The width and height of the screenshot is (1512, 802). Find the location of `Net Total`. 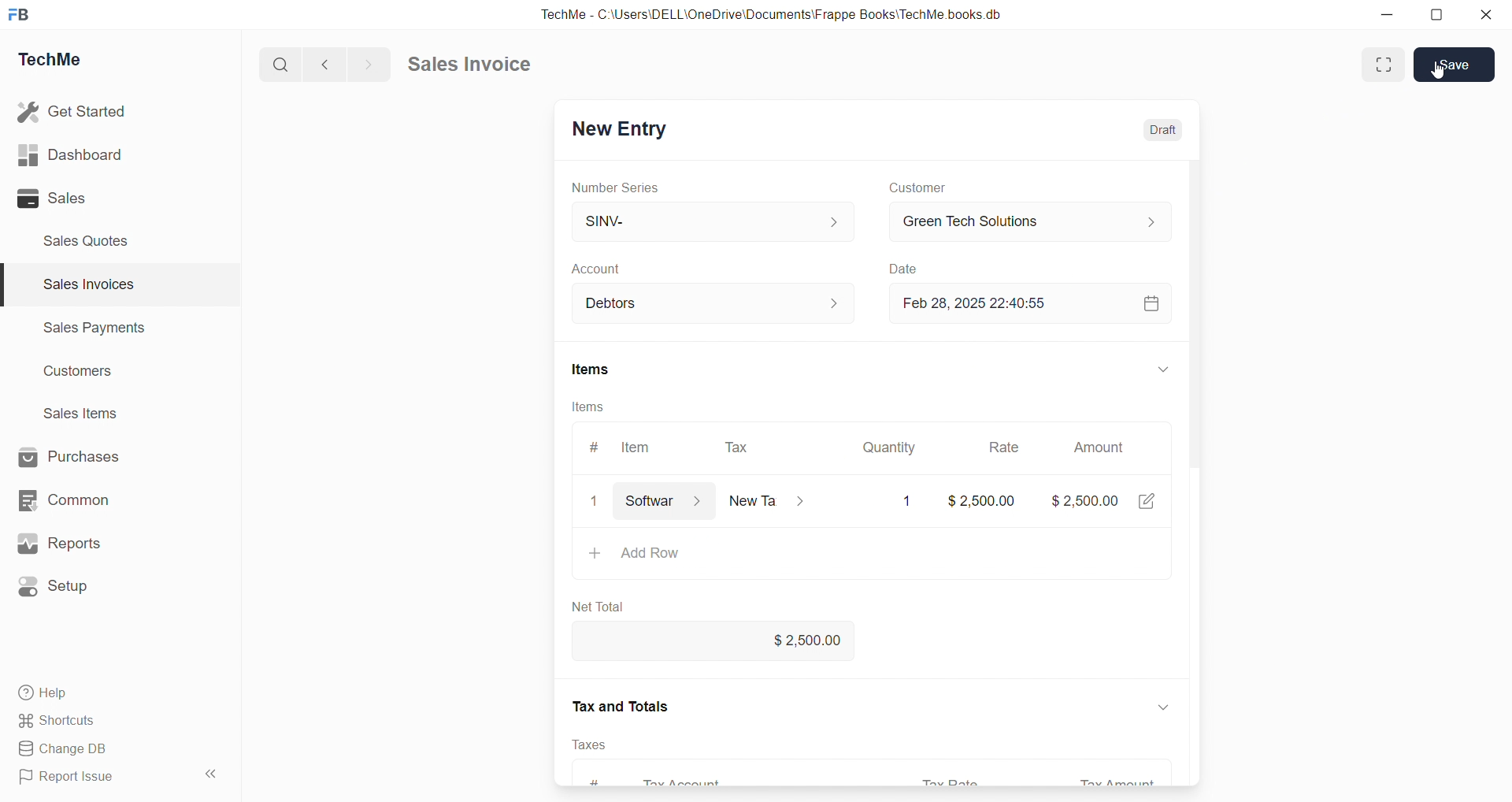

Net Total is located at coordinates (595, 607).